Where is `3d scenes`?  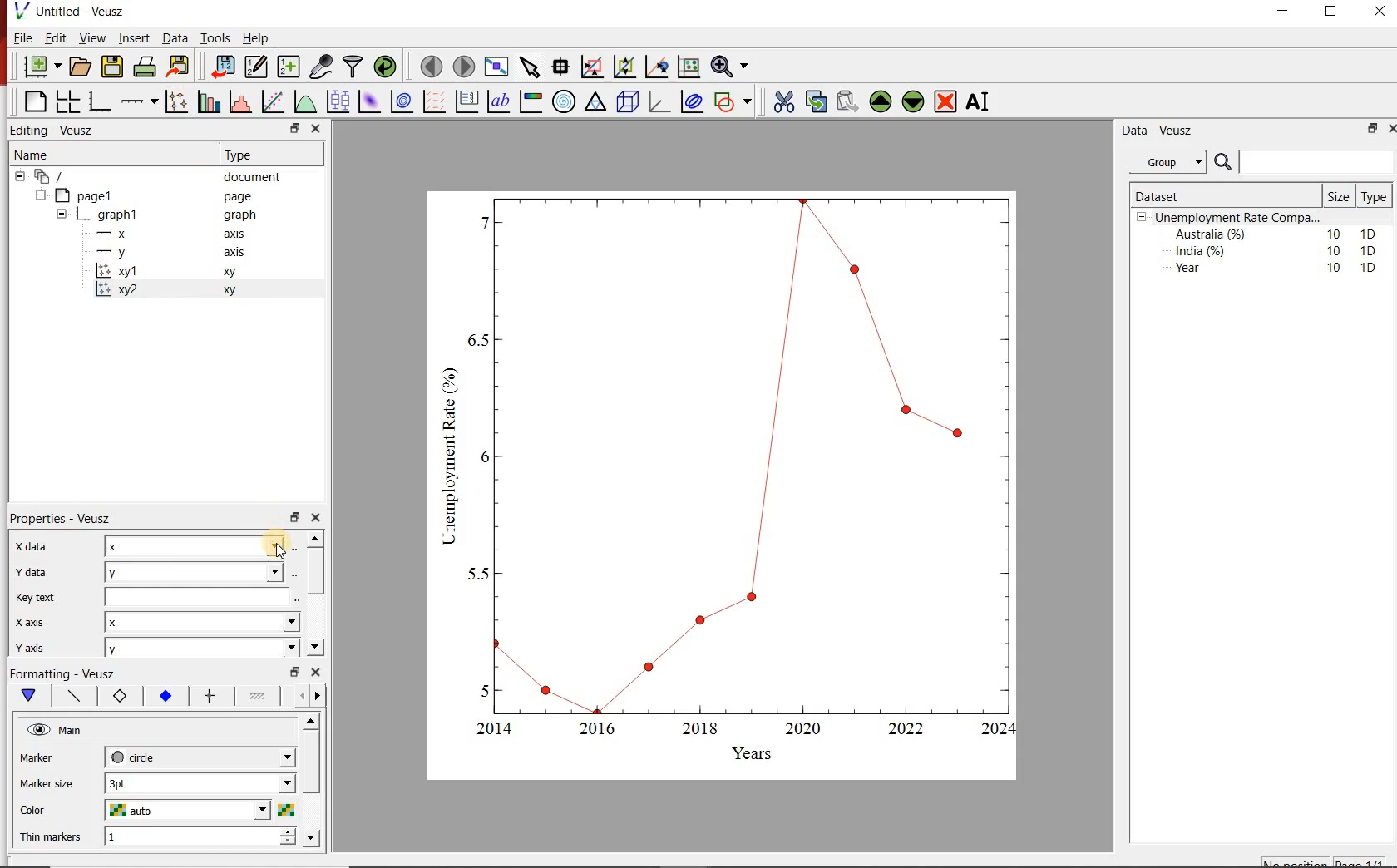
3d scenes is located at coordinates (625, 101).